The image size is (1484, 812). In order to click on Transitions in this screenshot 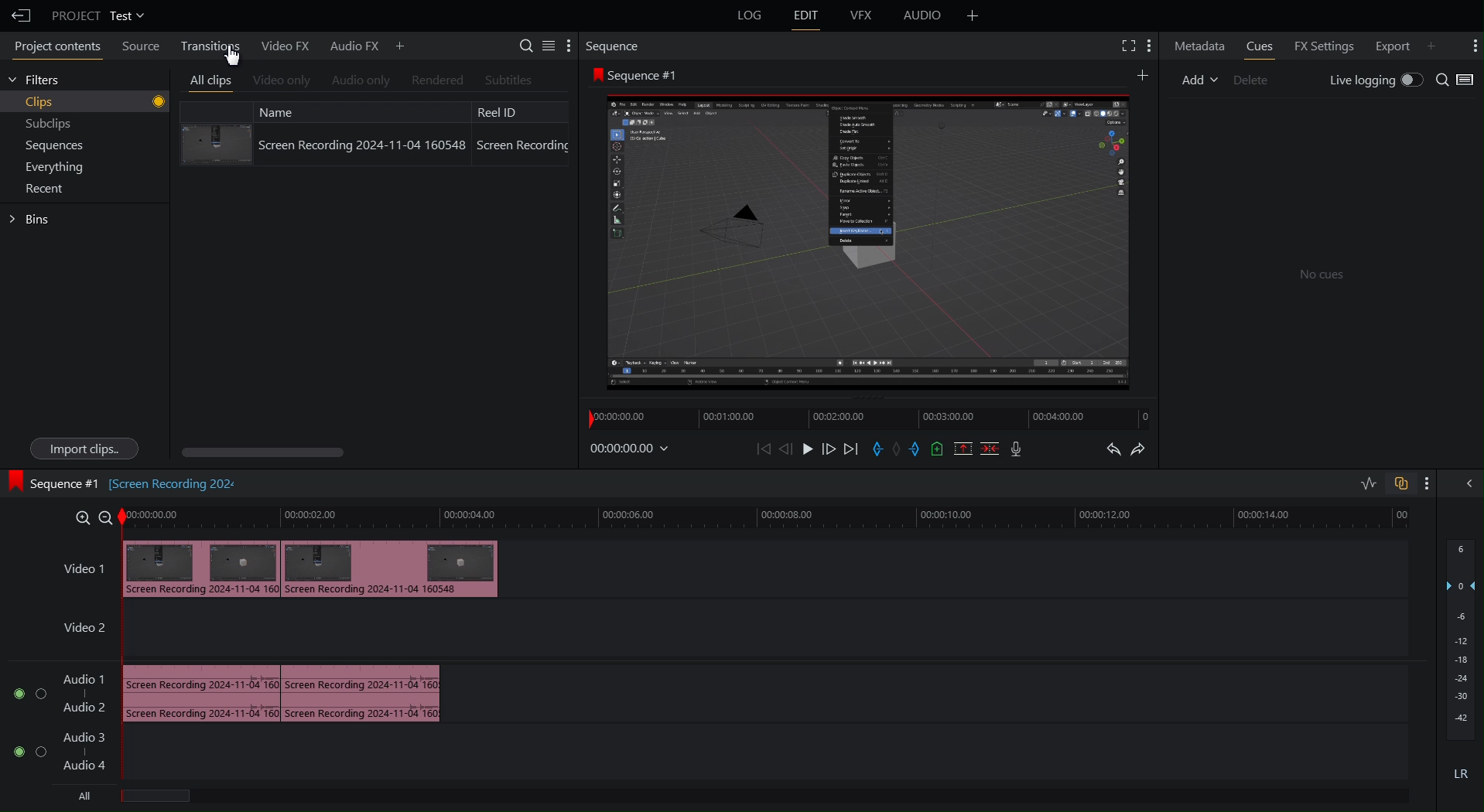, I will do `click(211, 45)`.